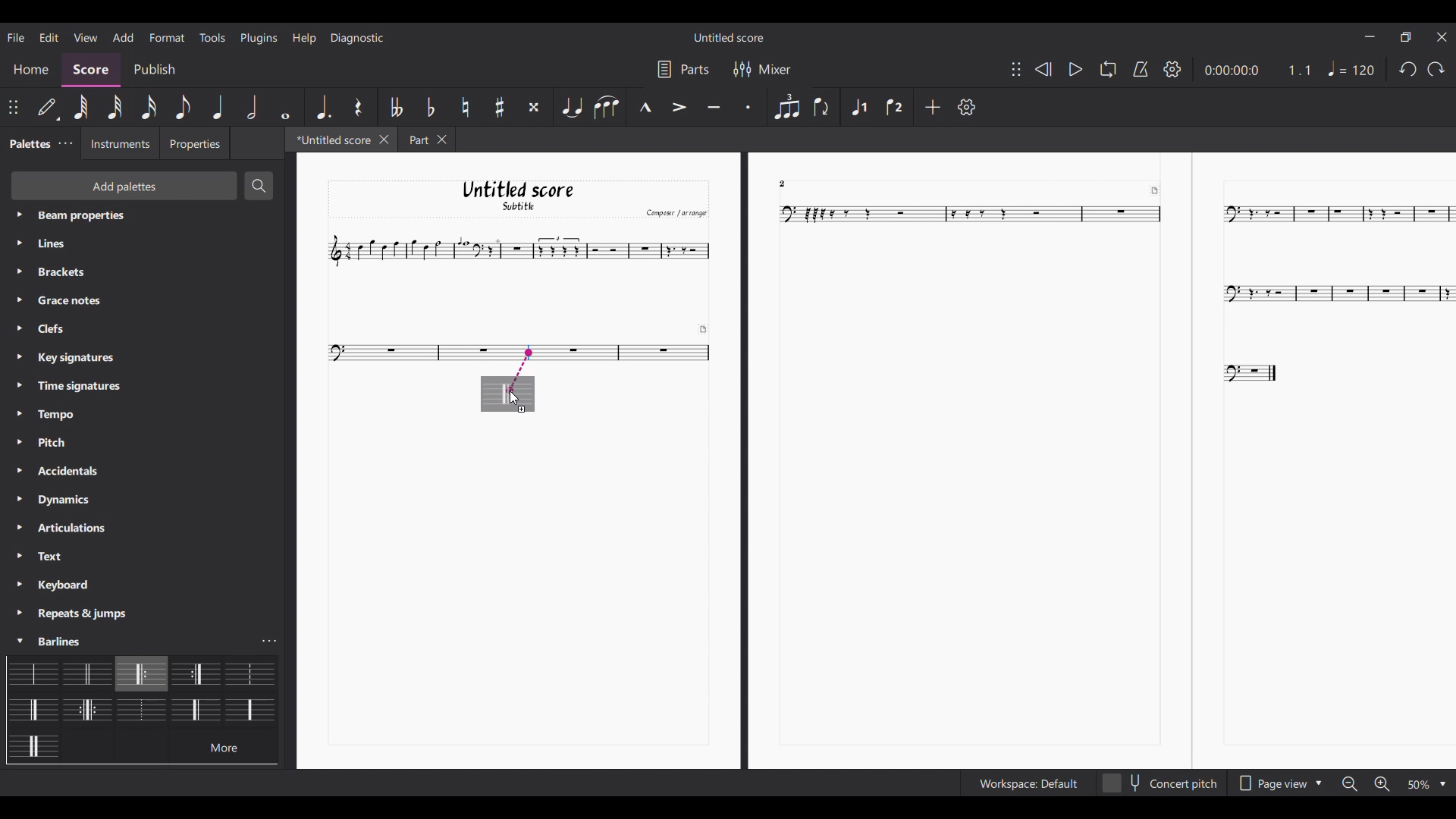  Describe the element at coordinates (499, 107) in the screenshot. I see `Toggle sharp` at that location.